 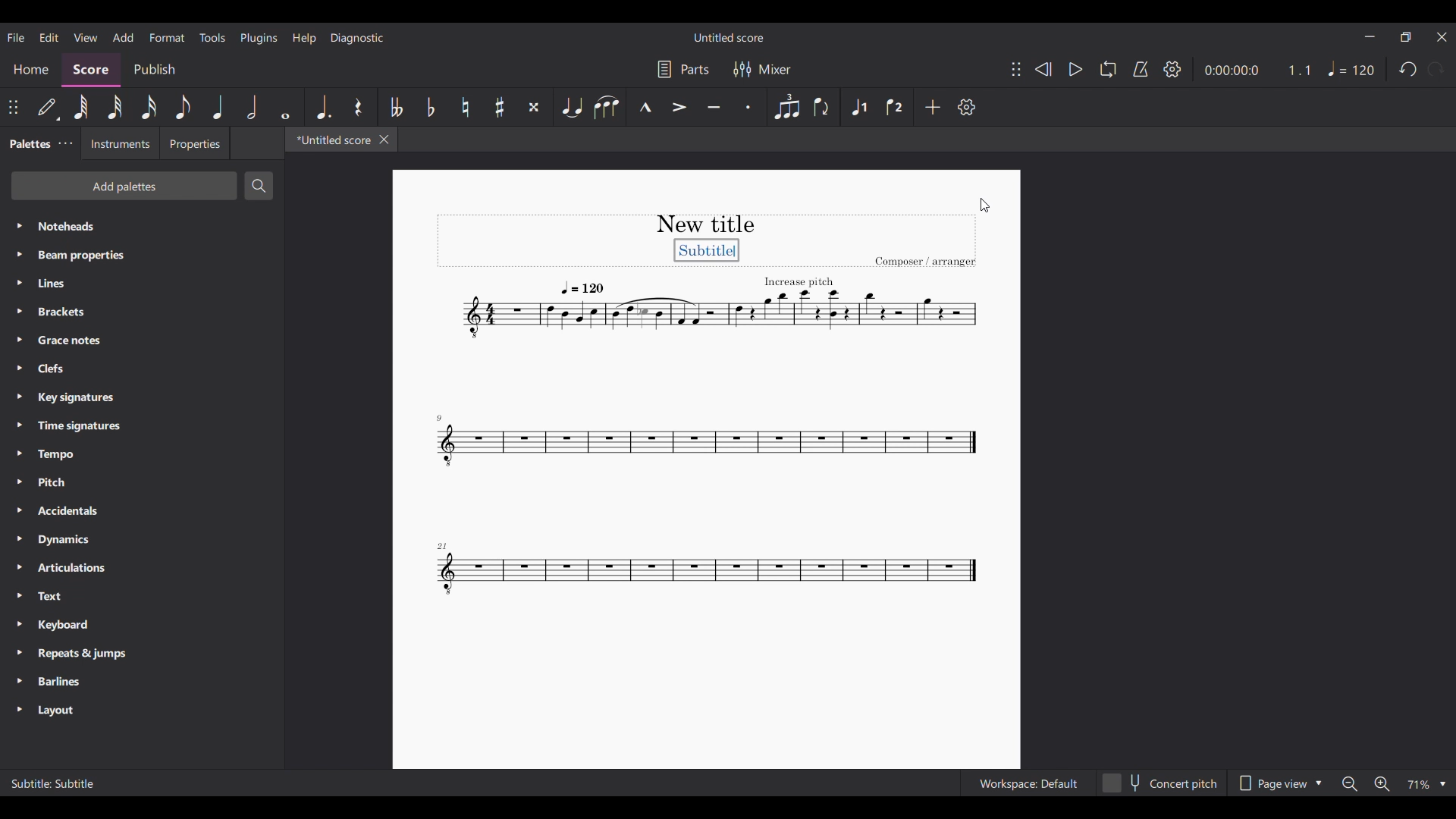 I want to click on Accidentals, so click(x=142, y=512).